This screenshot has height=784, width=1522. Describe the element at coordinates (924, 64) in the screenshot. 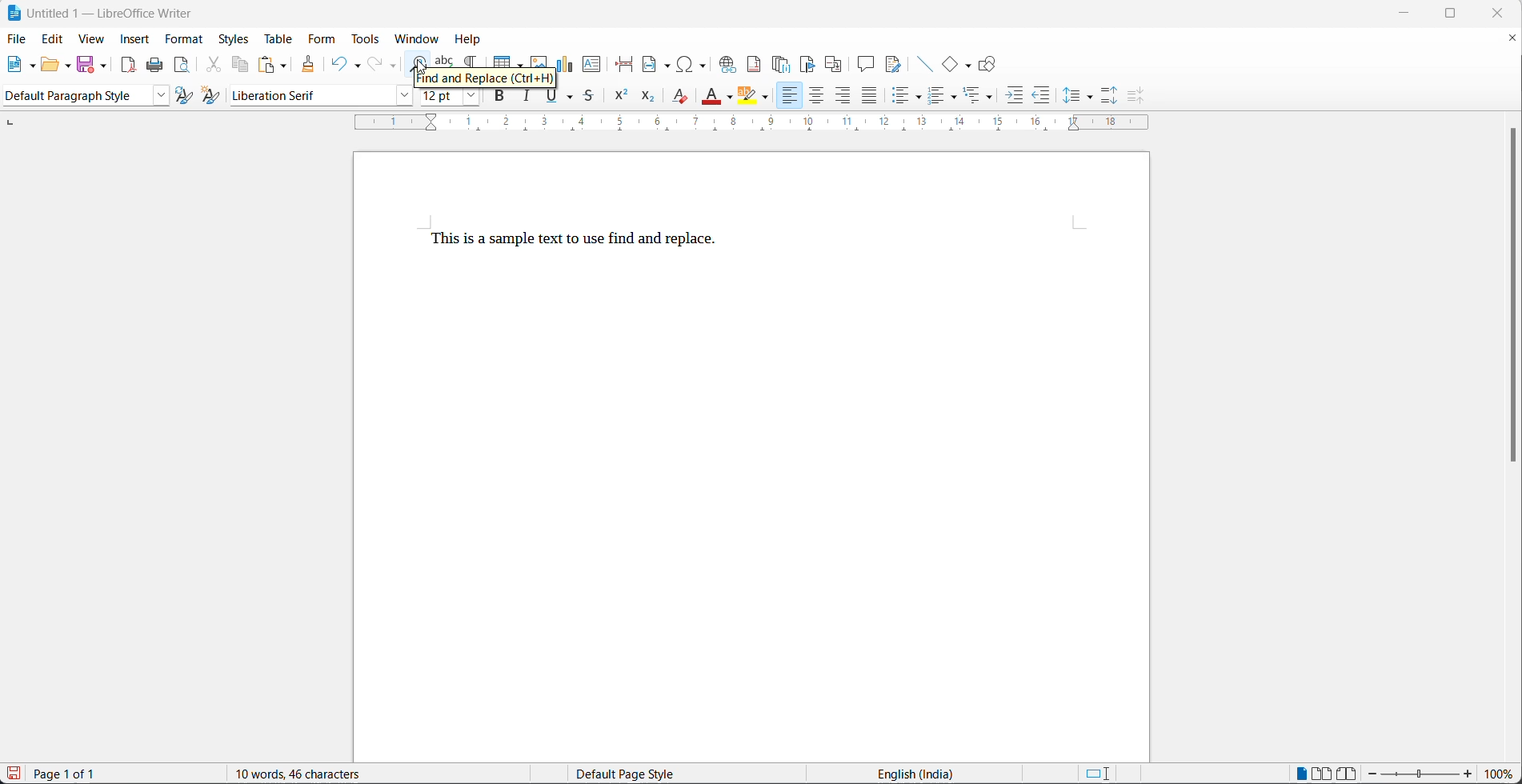

I see `insert lines` at that location.